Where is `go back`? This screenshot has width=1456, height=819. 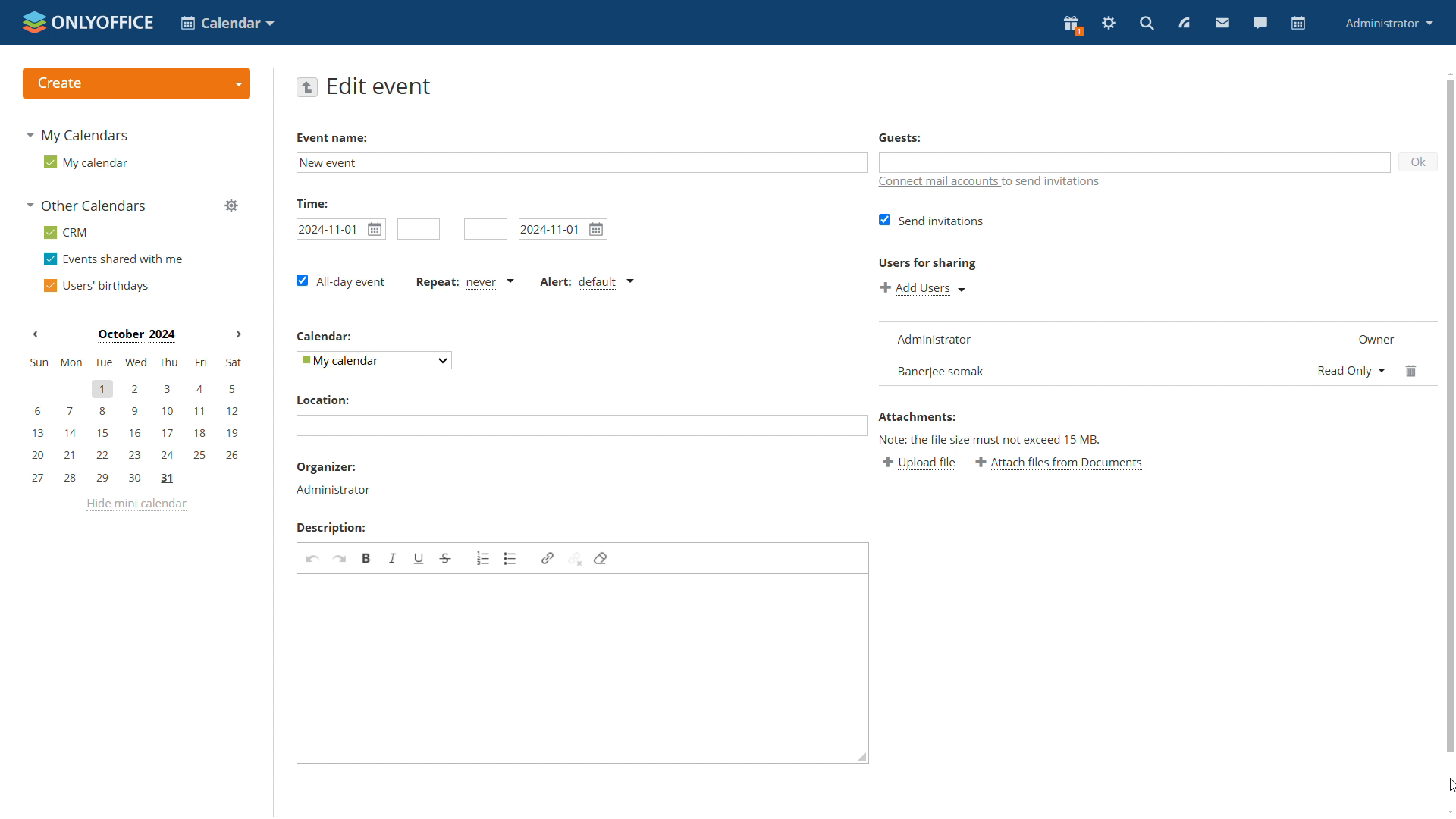
go back is located at coordinates (308, 89).